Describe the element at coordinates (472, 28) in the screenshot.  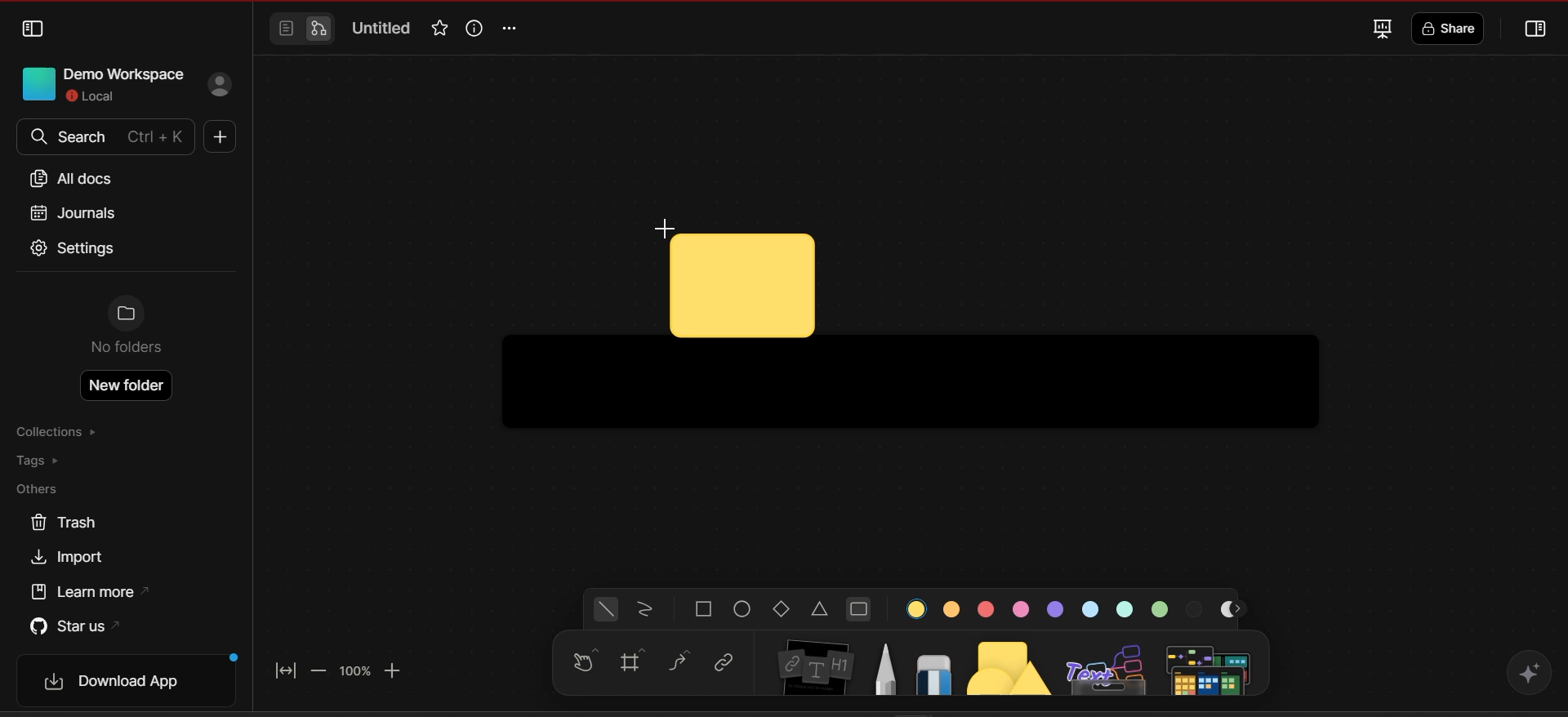
I see `view info` at that location.